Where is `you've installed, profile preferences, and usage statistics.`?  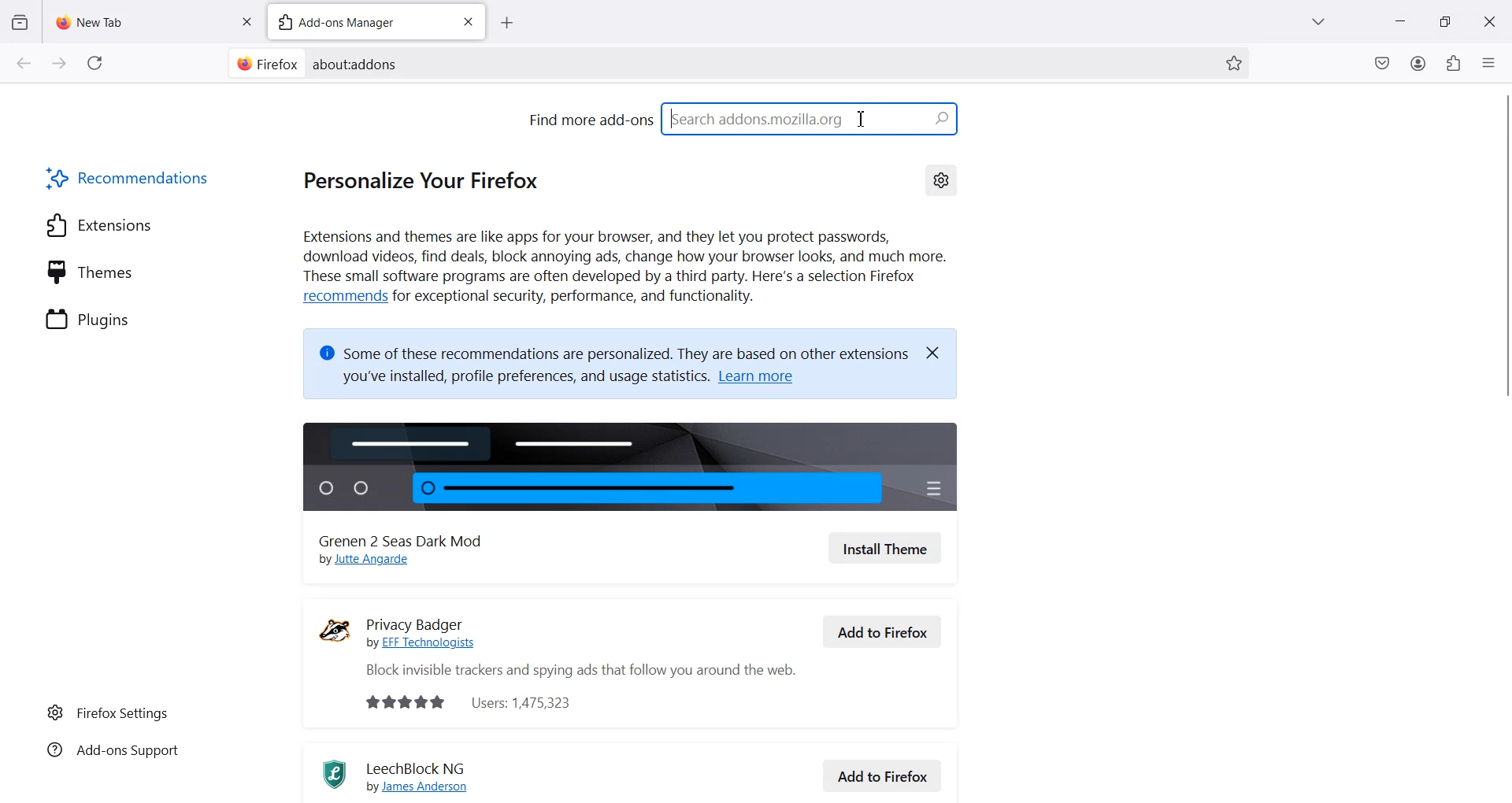 you've installed, profile preferences, and usage statistics. is located at coordinates (514, 379).